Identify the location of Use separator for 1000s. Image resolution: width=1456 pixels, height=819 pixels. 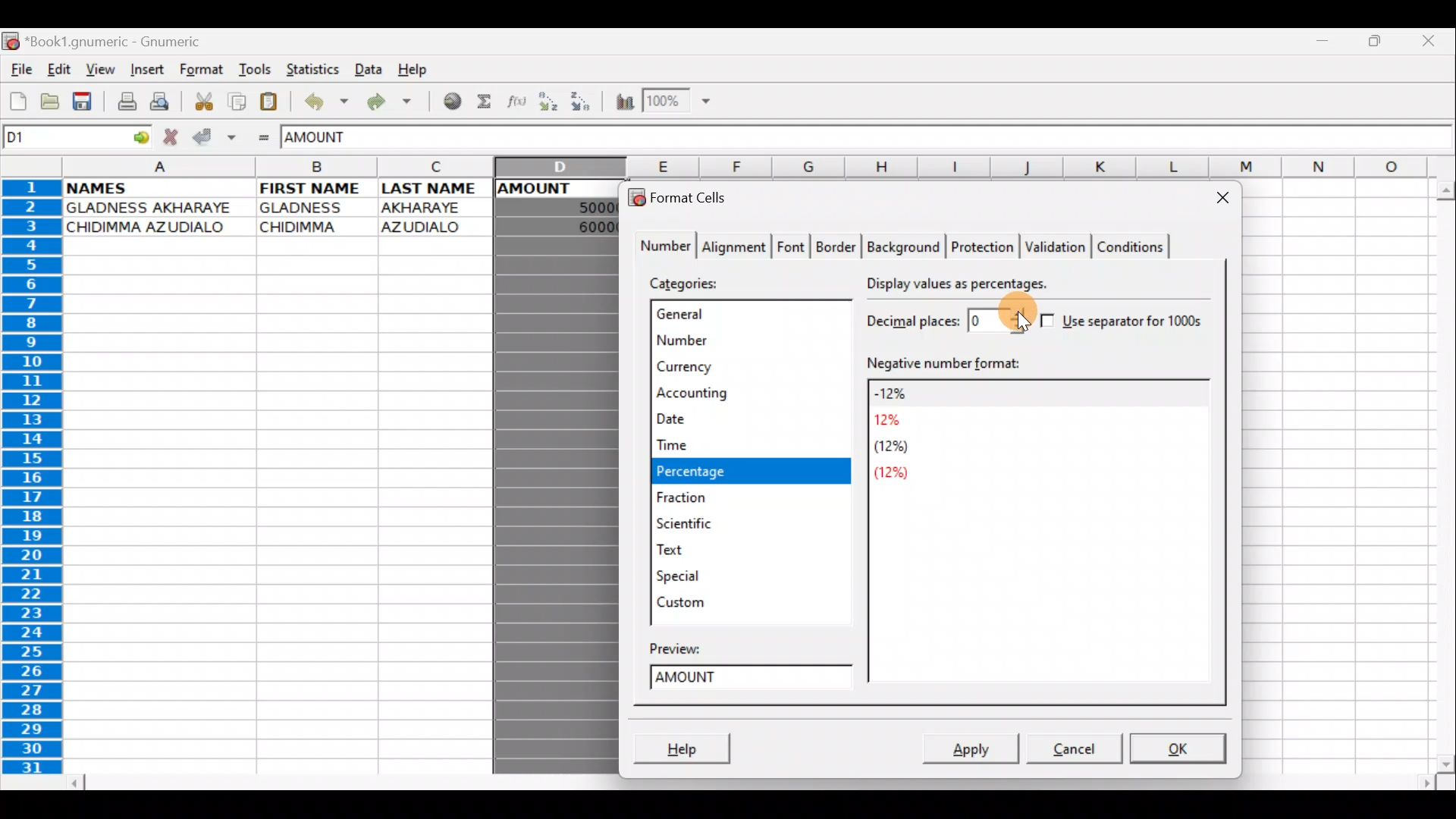
(1127, 322).